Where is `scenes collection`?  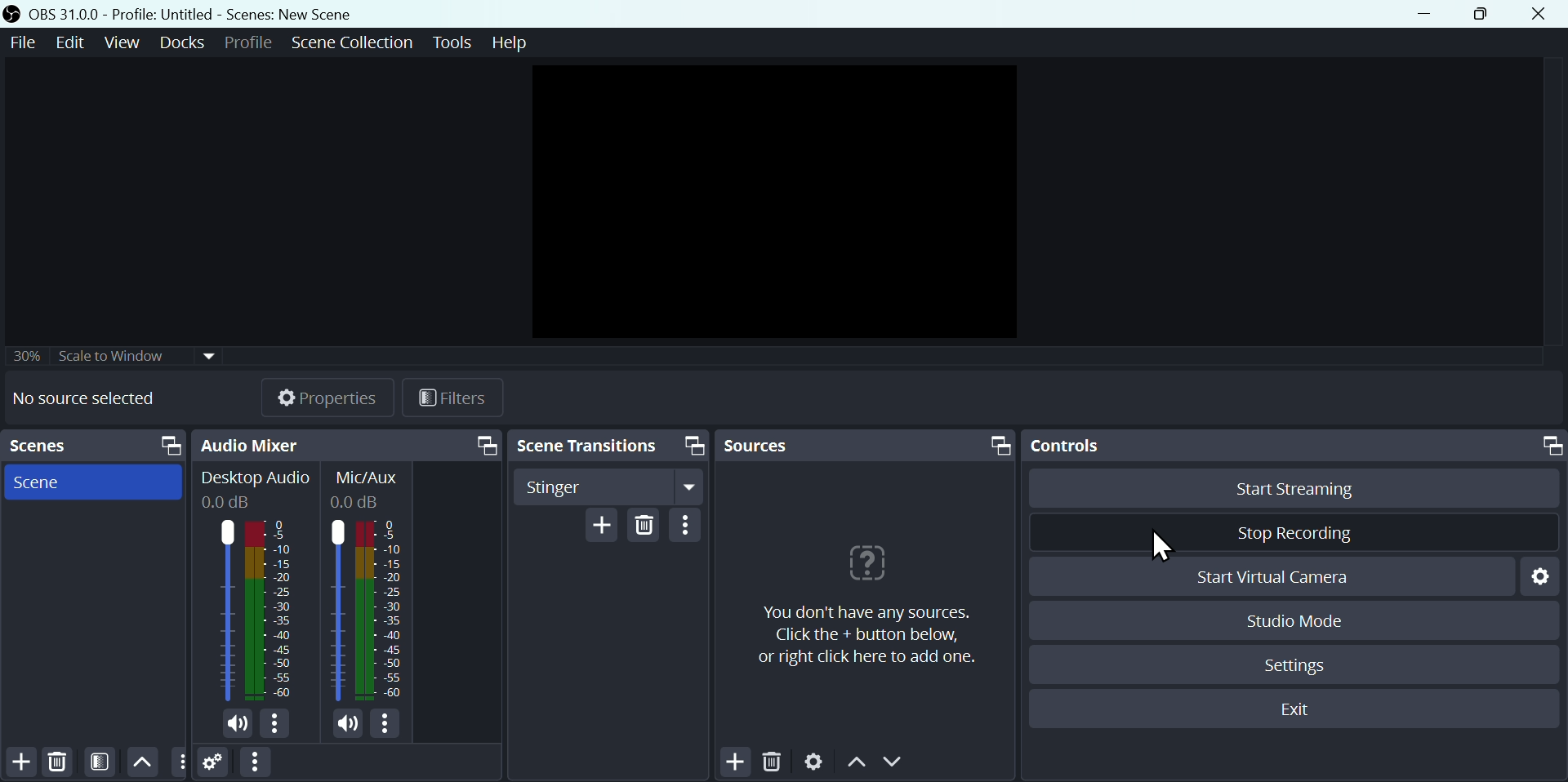 scenes collection is located at coordinates (351, 42).